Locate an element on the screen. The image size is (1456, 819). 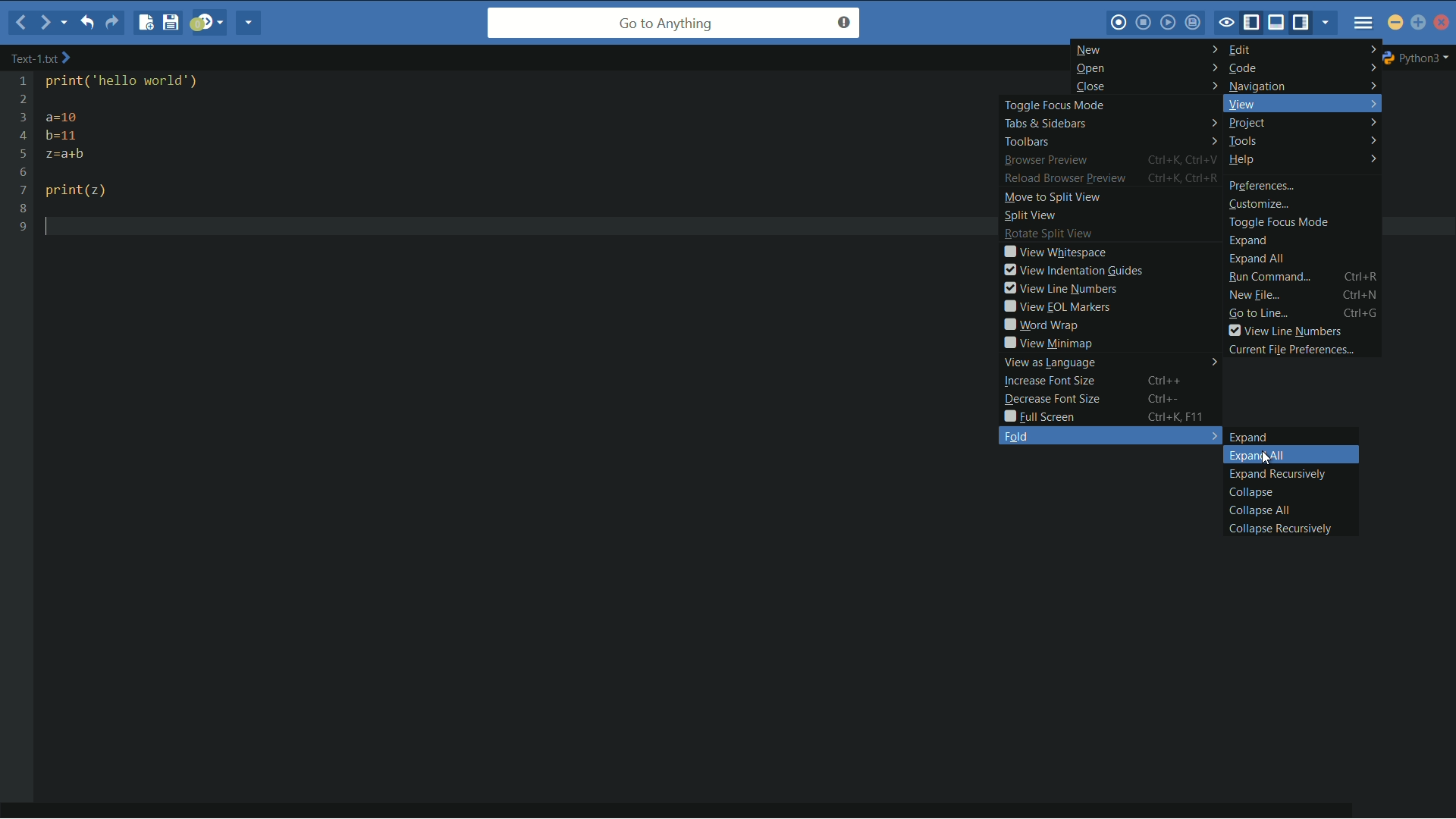
code is located at coordinates (1299, 68).